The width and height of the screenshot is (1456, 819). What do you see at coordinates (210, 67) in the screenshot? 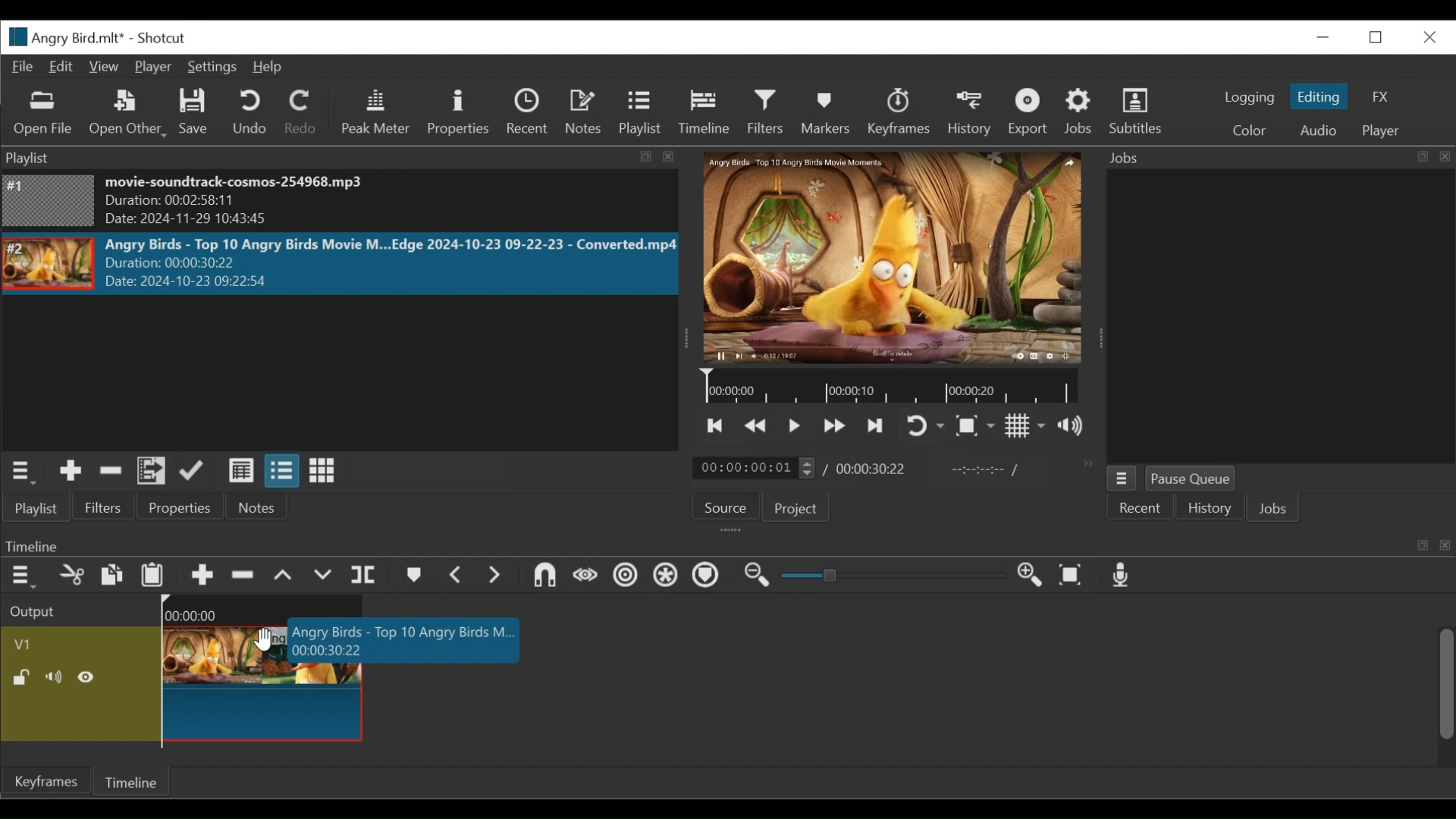
I see `Settings` at bounding box center [210, 67].